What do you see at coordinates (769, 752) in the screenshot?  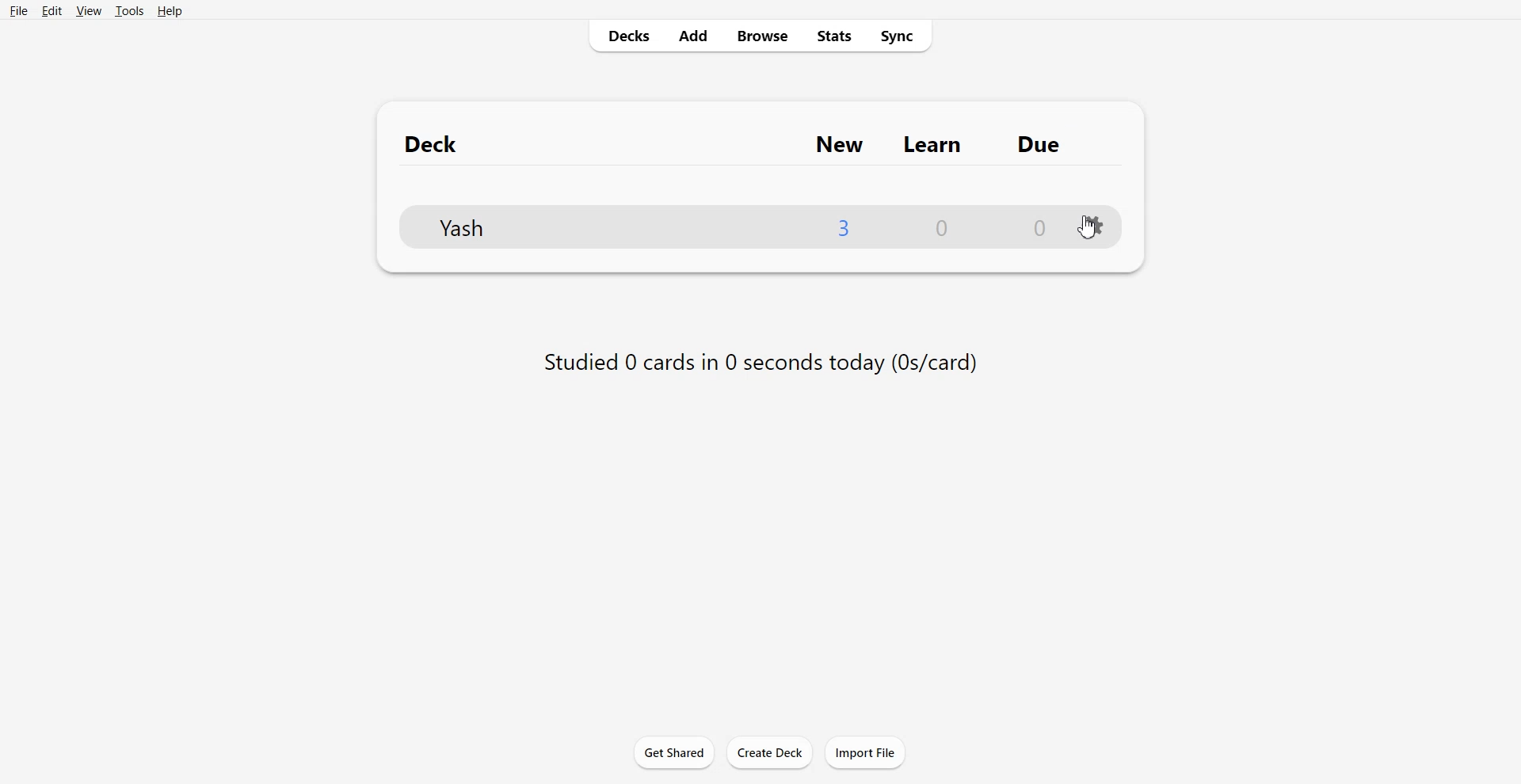 I see `Create Deck` at bounding box center [769, 752].